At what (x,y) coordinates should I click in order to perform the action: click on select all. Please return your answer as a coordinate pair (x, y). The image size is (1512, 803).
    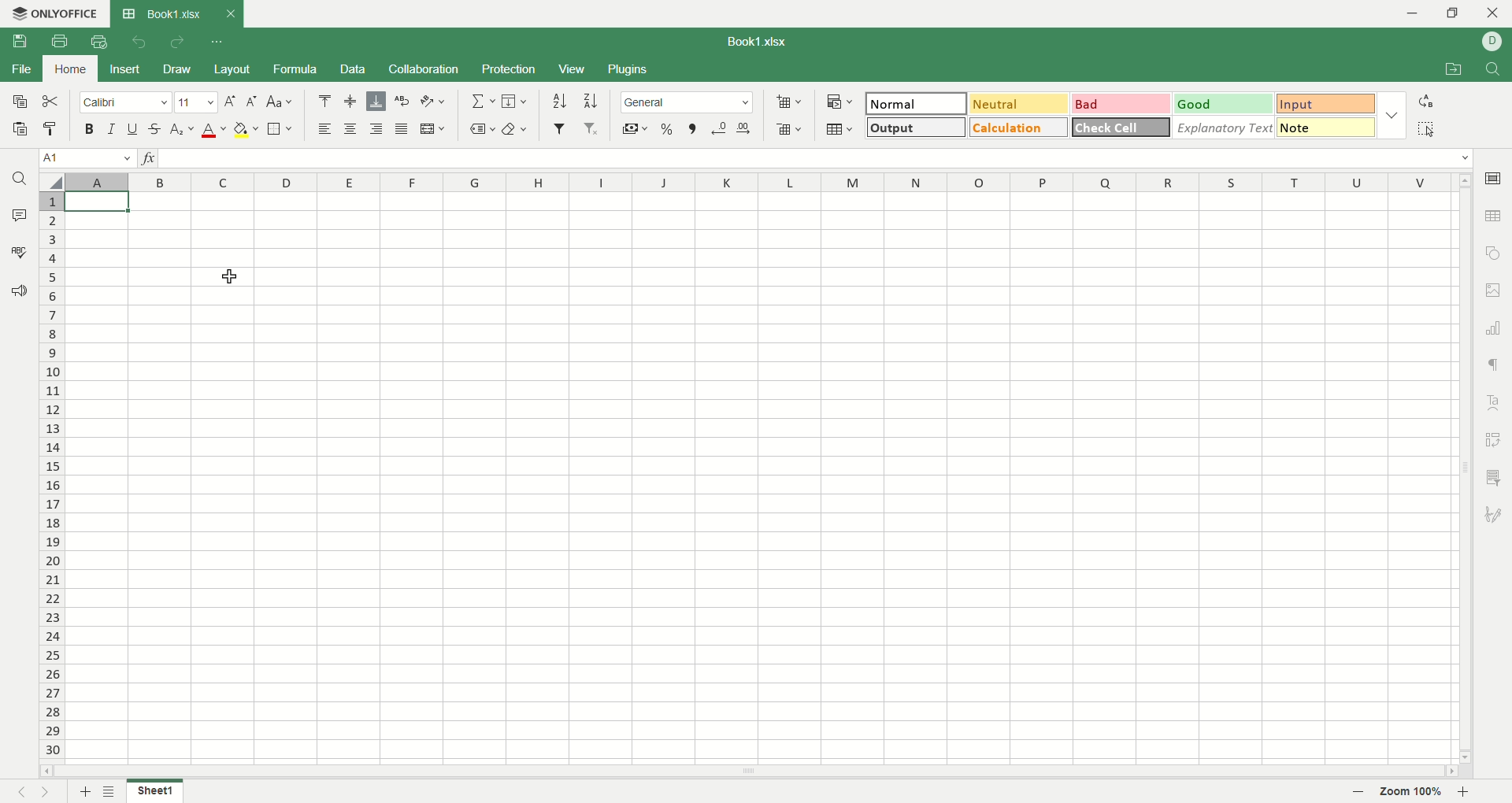
    Looking at the image, I should click on (50, 182).